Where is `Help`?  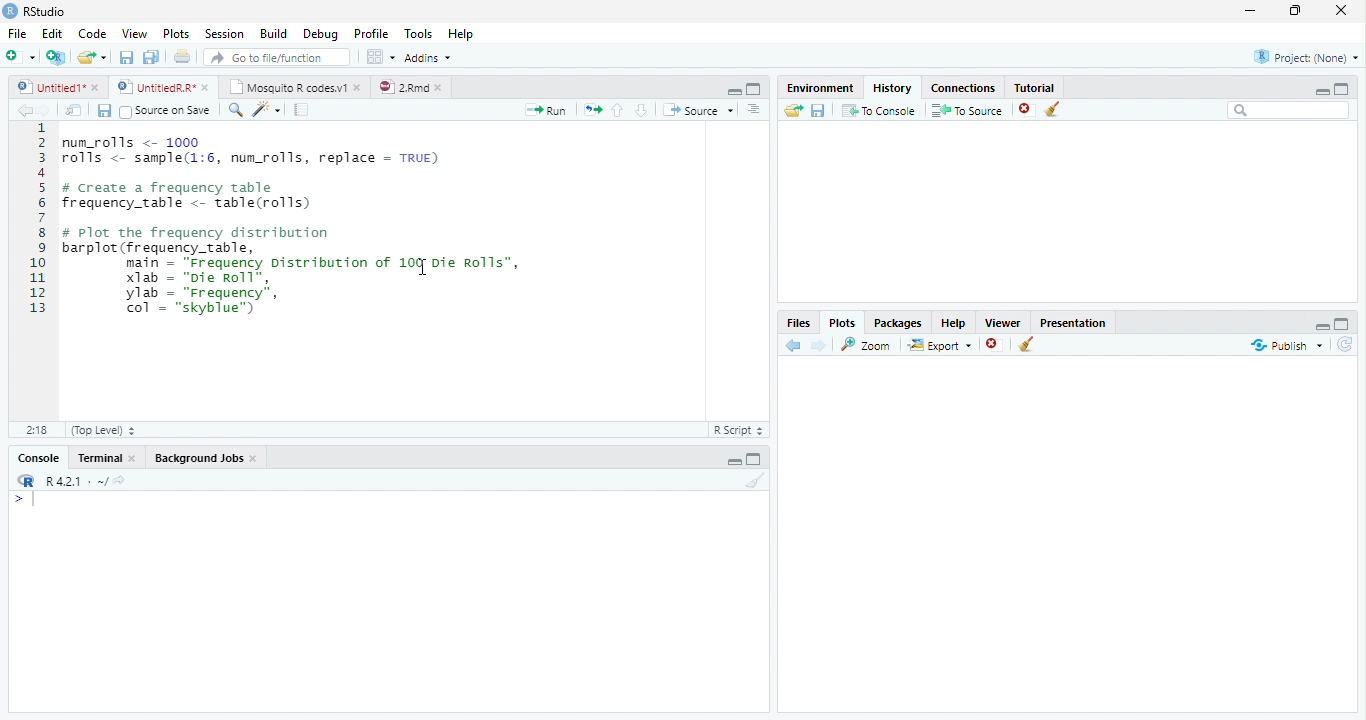
Help is located at coordinates (954, 322).